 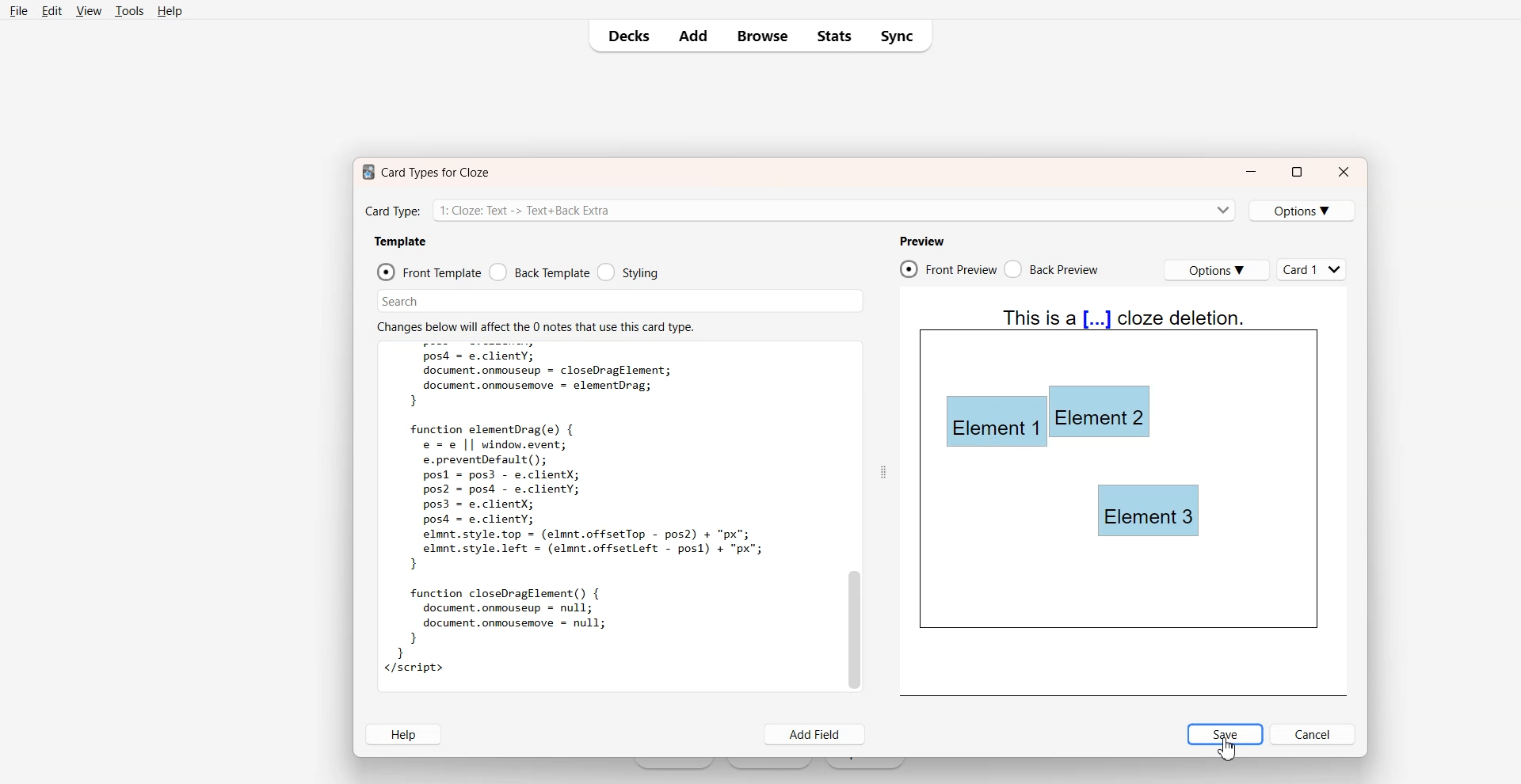 What do you see at coordinates (1226, 734) in the screenshot?
I see `Save` at bounding box center [1226, 734].